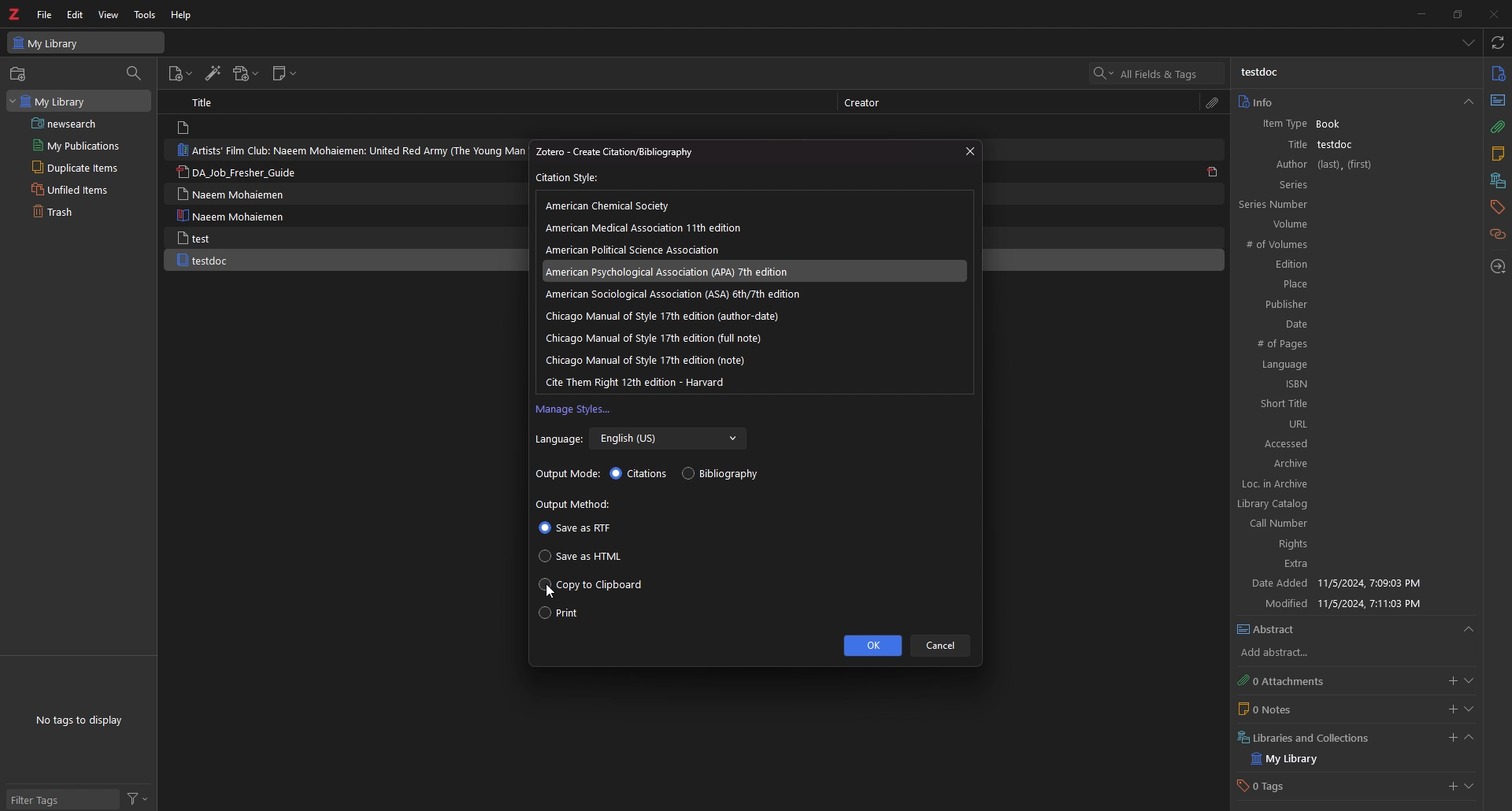 The image size is (1512, 811). Describe the element at coordinates (1469, 43) in the screenshot. I see `list all items` at that location.